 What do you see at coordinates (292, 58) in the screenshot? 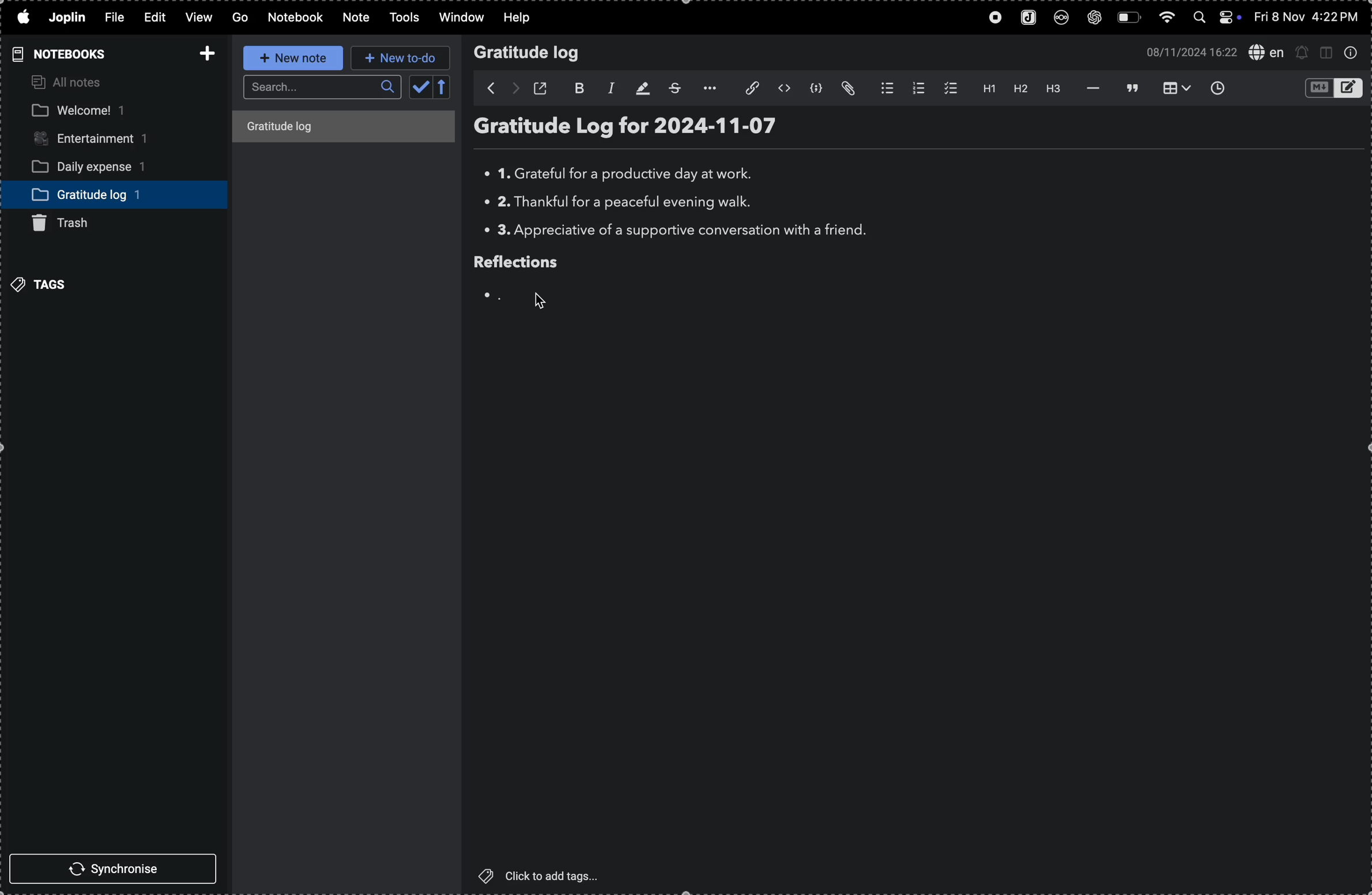
I see `new note` at bounding box center [292, 58].